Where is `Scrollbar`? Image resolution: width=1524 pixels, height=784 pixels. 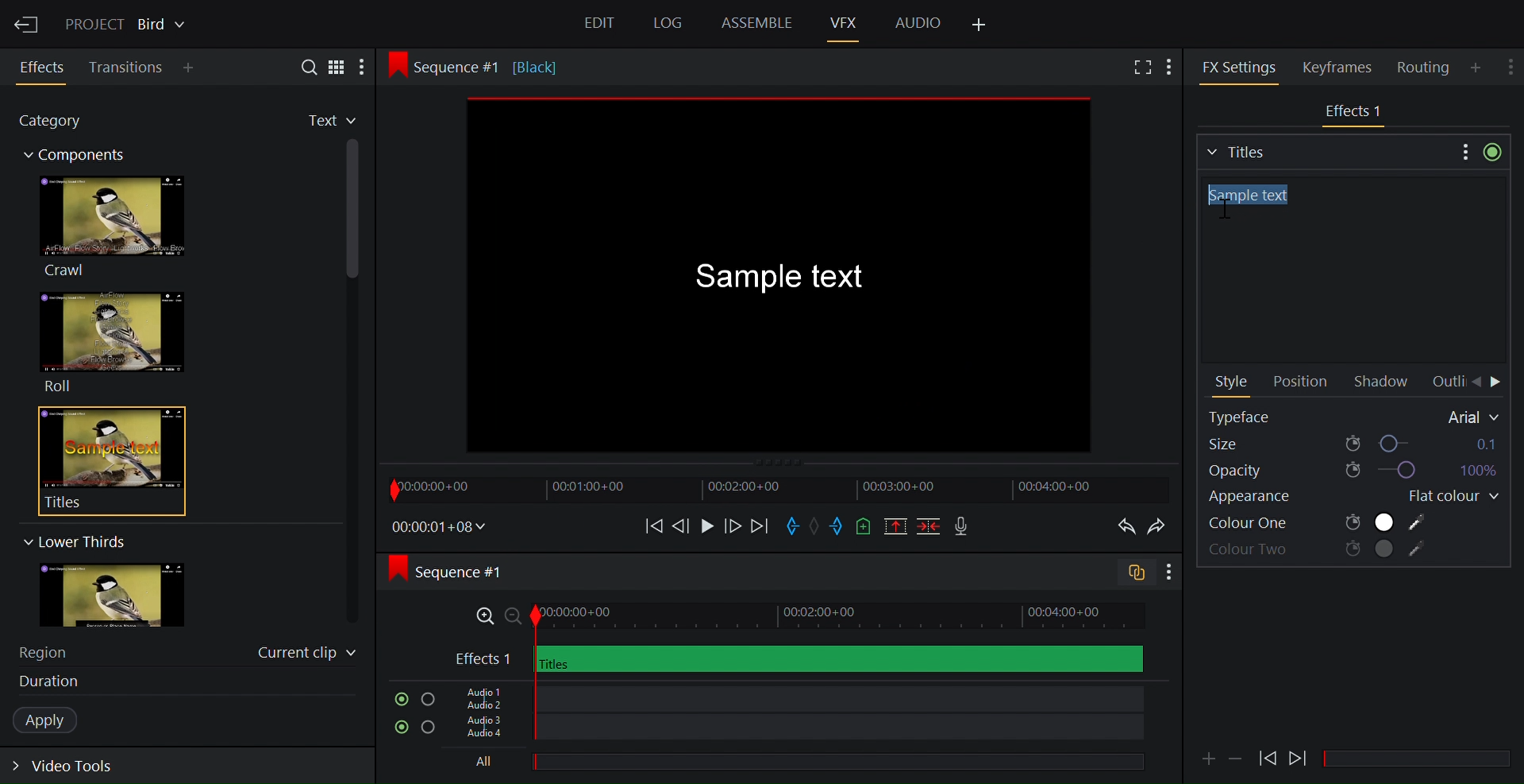
Scrollbar is located at coordinates (1423, 759).